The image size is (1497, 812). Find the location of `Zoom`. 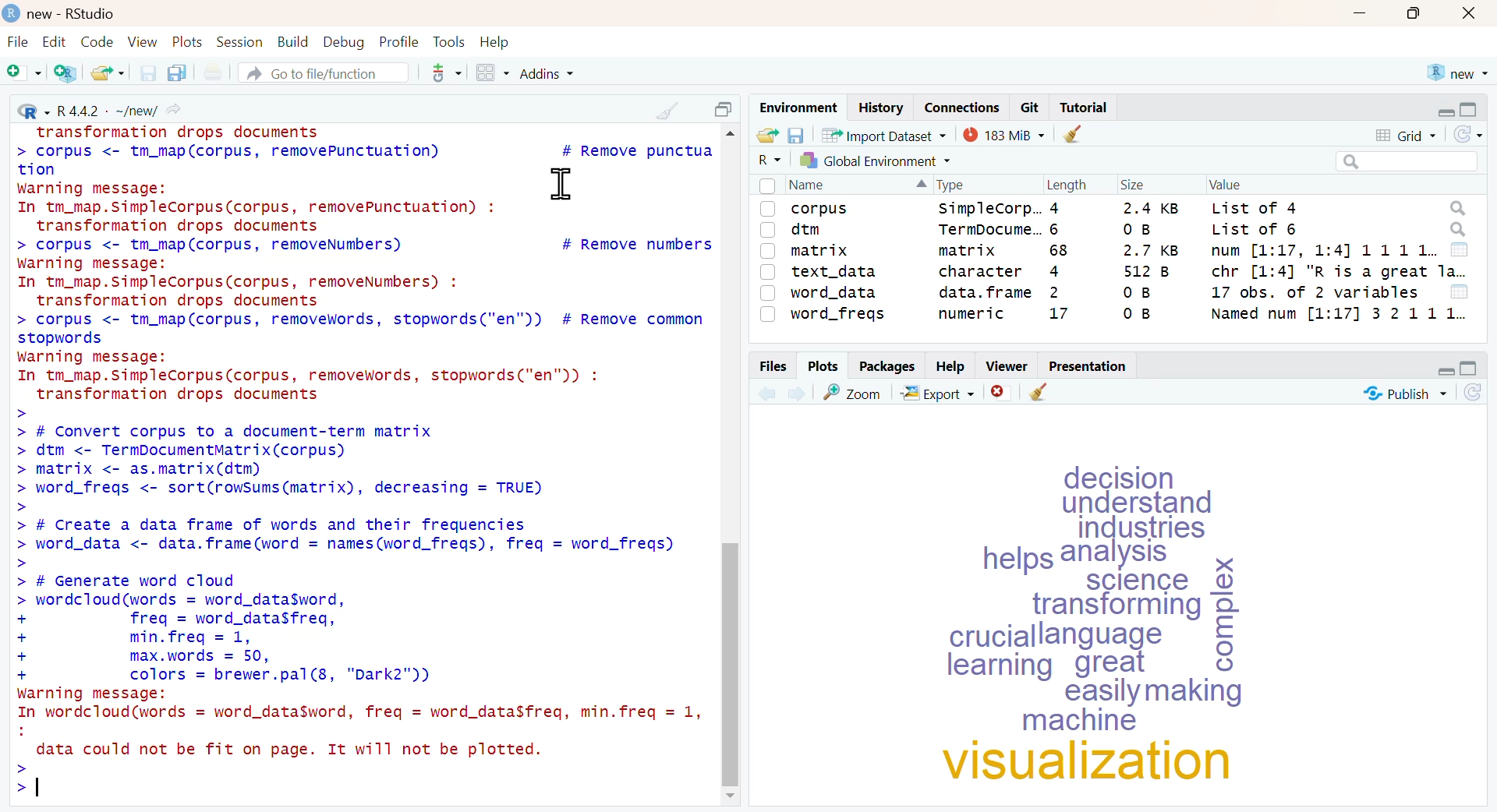

Zoom is located at coordinates (851, 391).